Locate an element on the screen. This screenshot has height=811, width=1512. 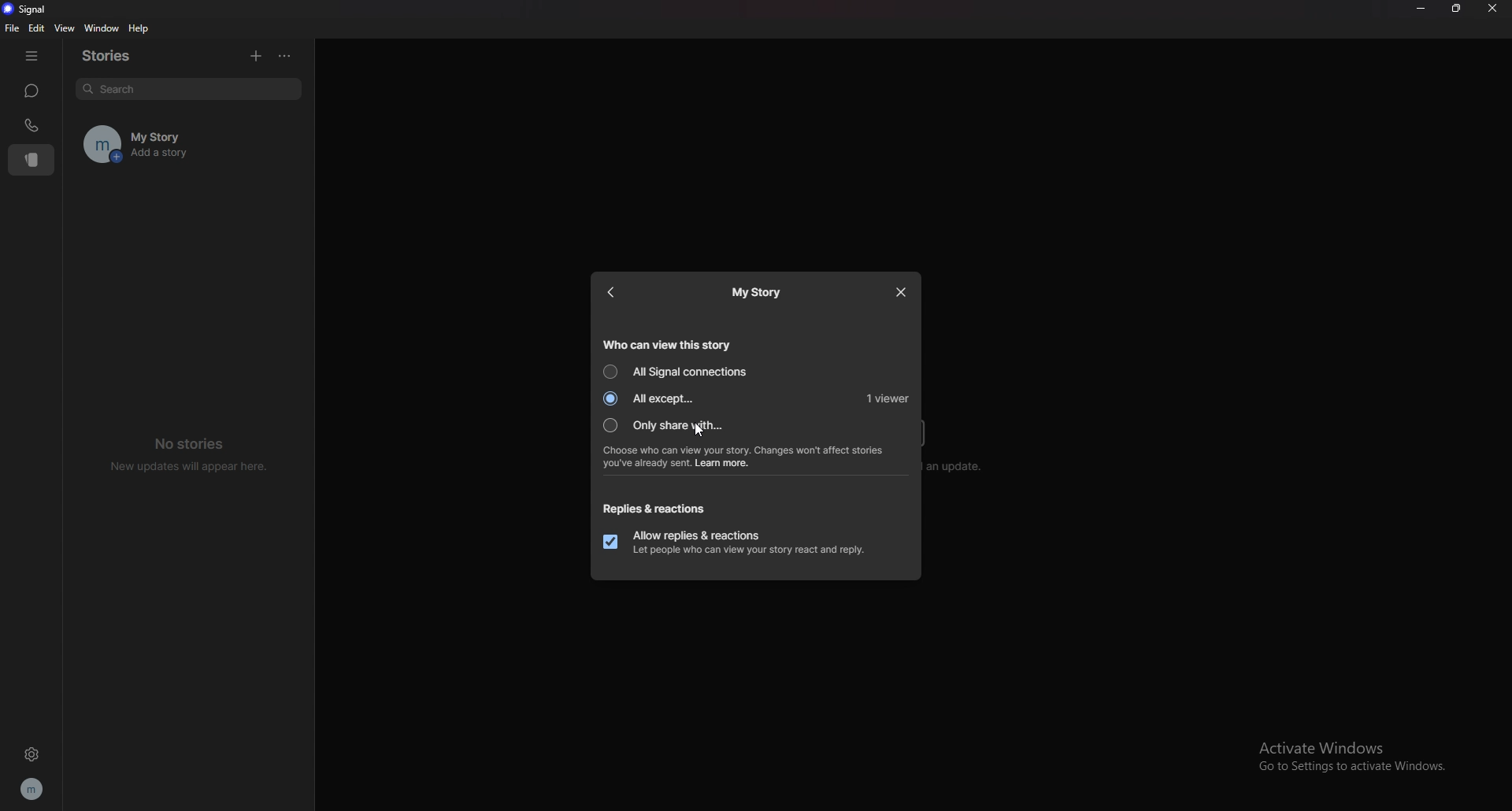
cursor is located at coordinates (697, 430).